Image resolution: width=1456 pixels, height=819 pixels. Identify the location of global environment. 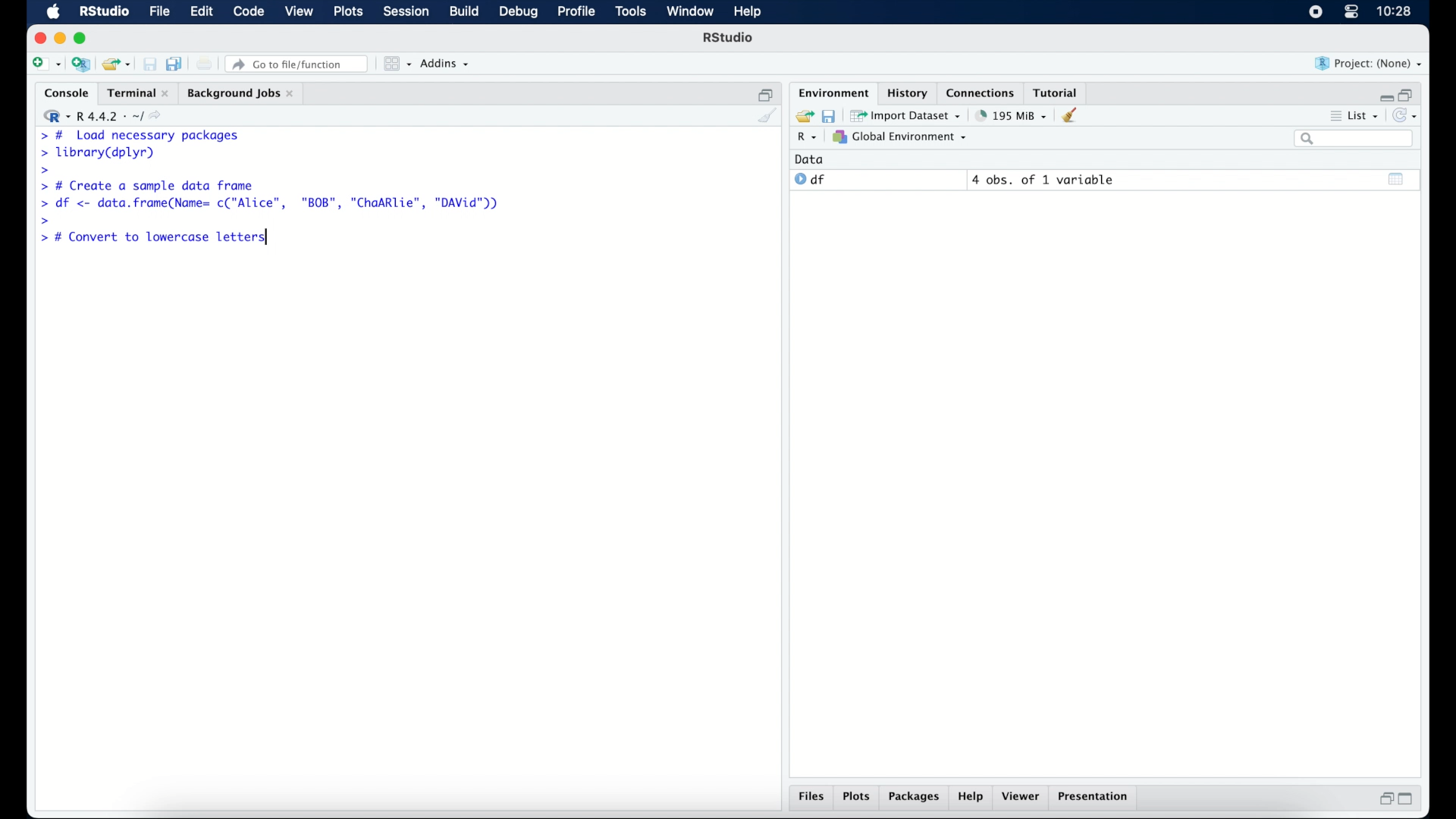
(900, 137).